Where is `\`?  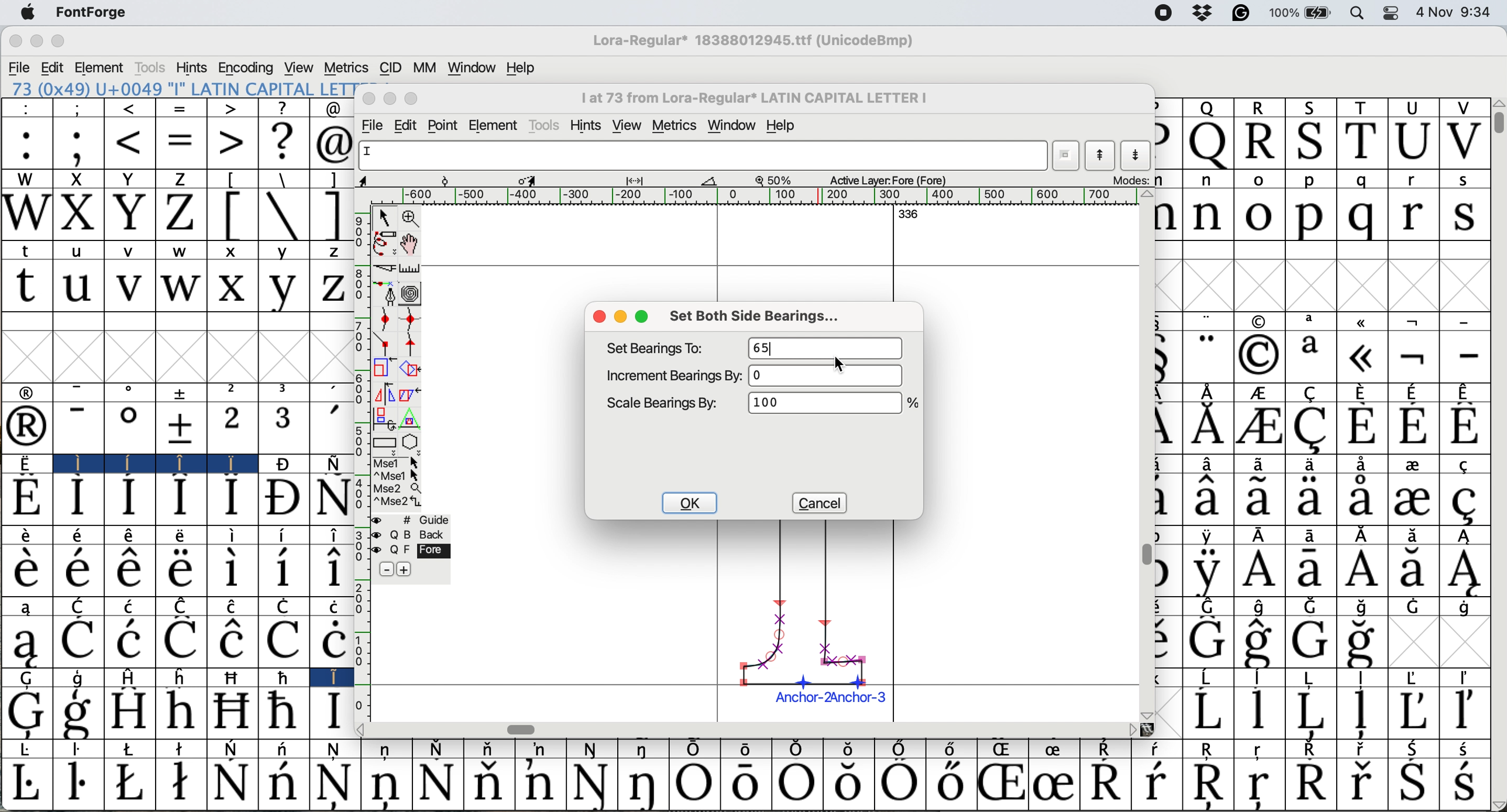
\ is located at coordinates (284, 215).